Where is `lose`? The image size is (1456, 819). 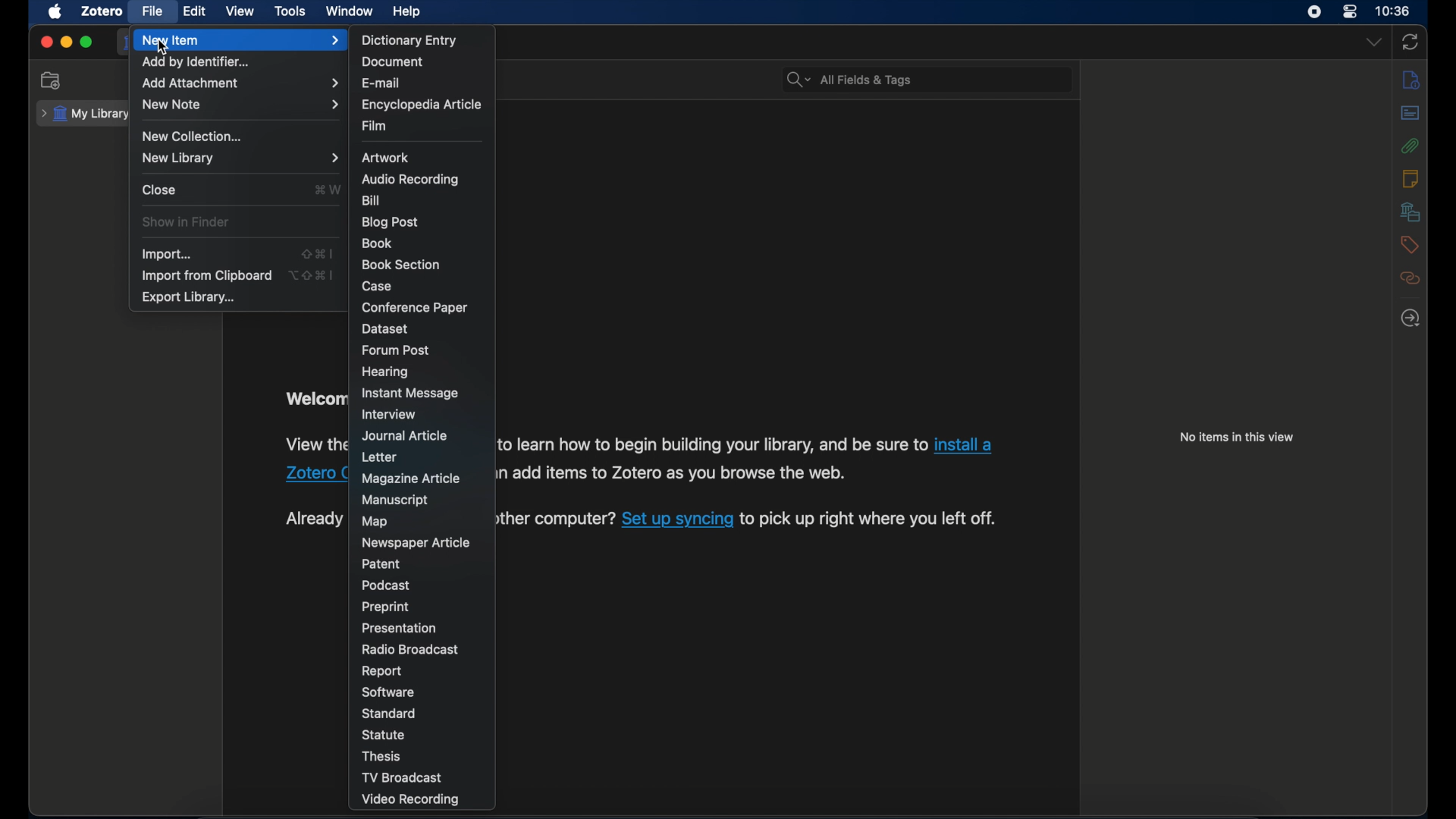
lose is located at coordinates (158, 189).